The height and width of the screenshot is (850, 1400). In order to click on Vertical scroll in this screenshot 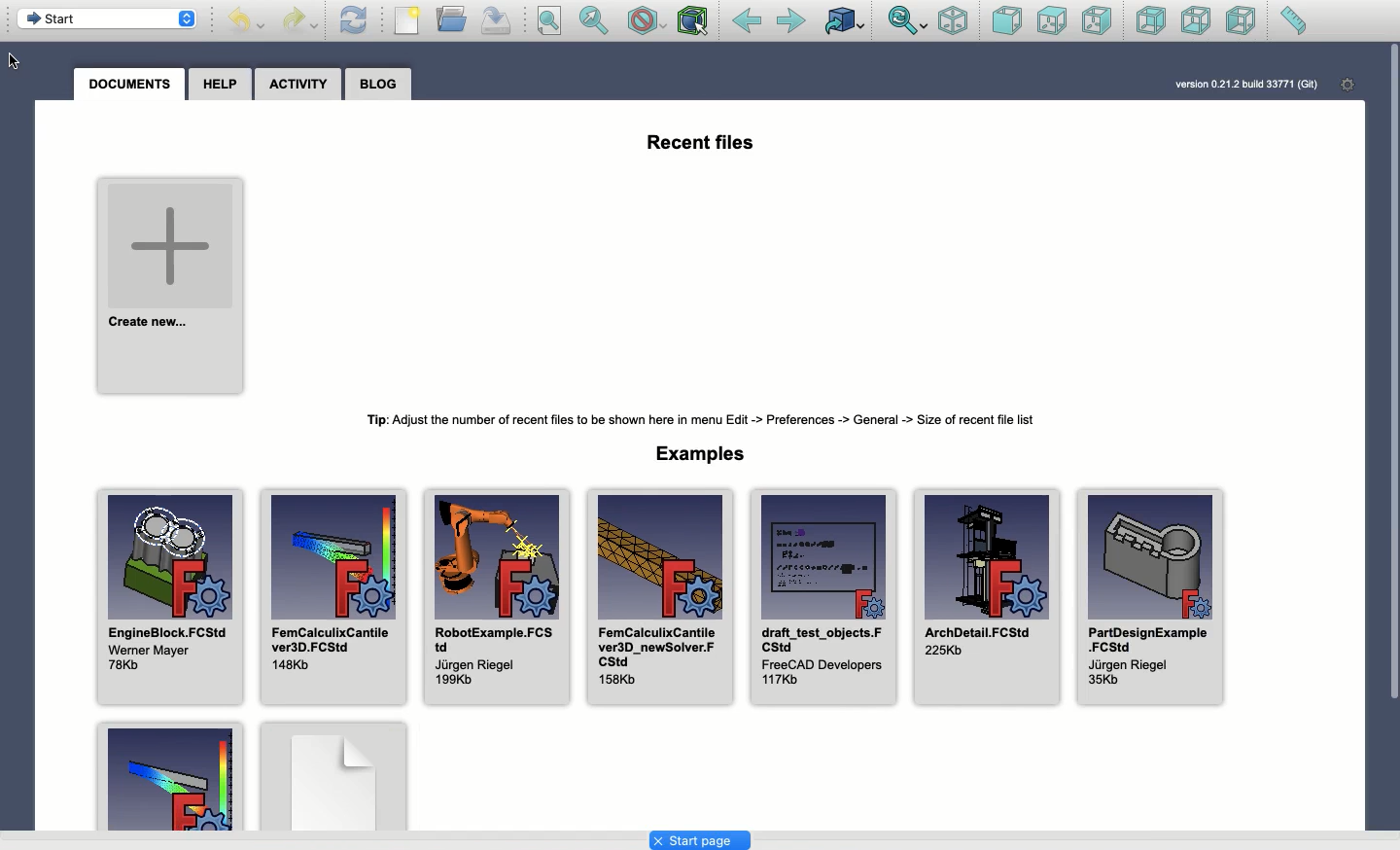, I will do `click(1393, 436)`.